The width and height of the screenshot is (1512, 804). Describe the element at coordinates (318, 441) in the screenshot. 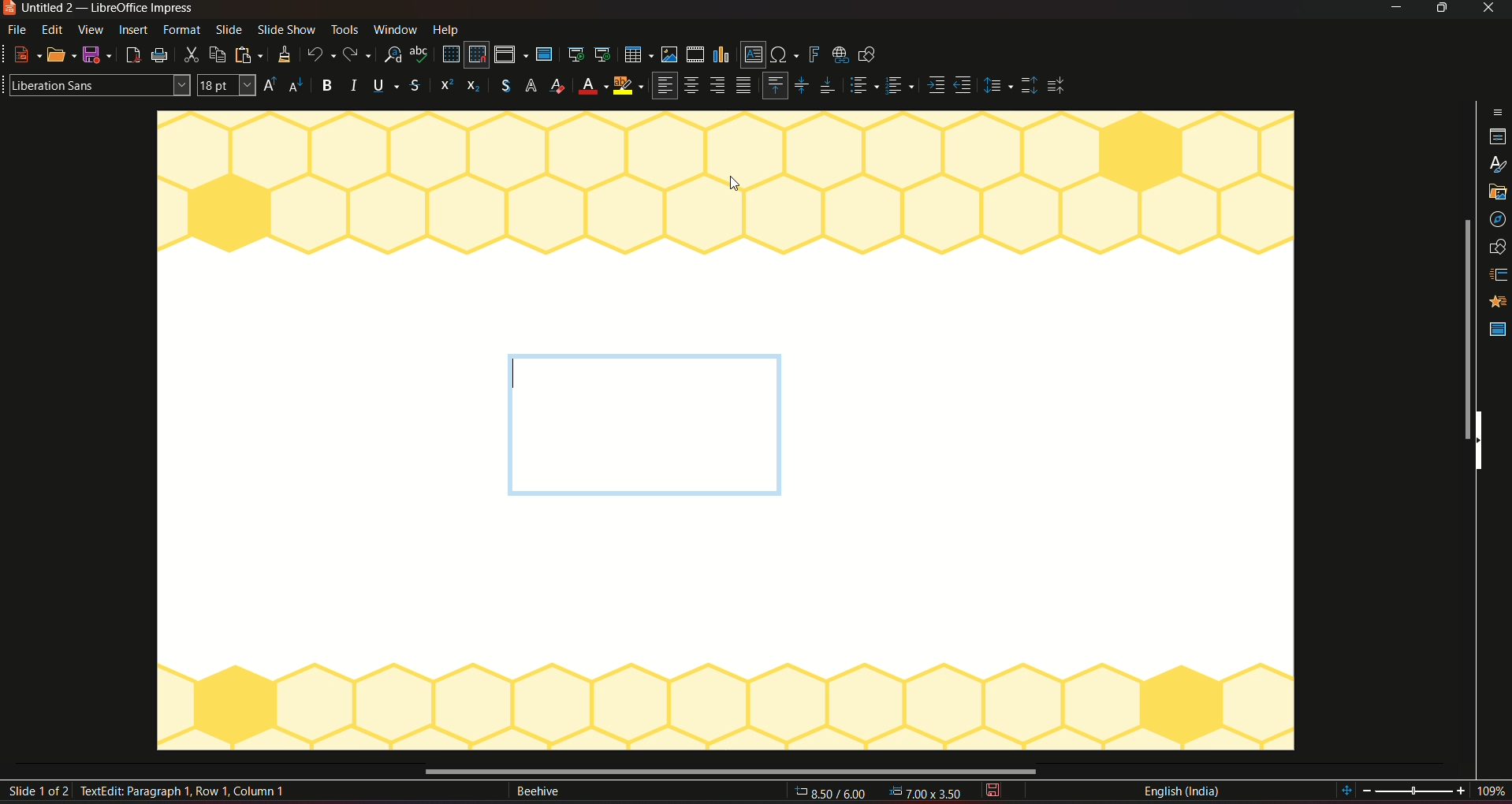

I see `workspace` at that location.